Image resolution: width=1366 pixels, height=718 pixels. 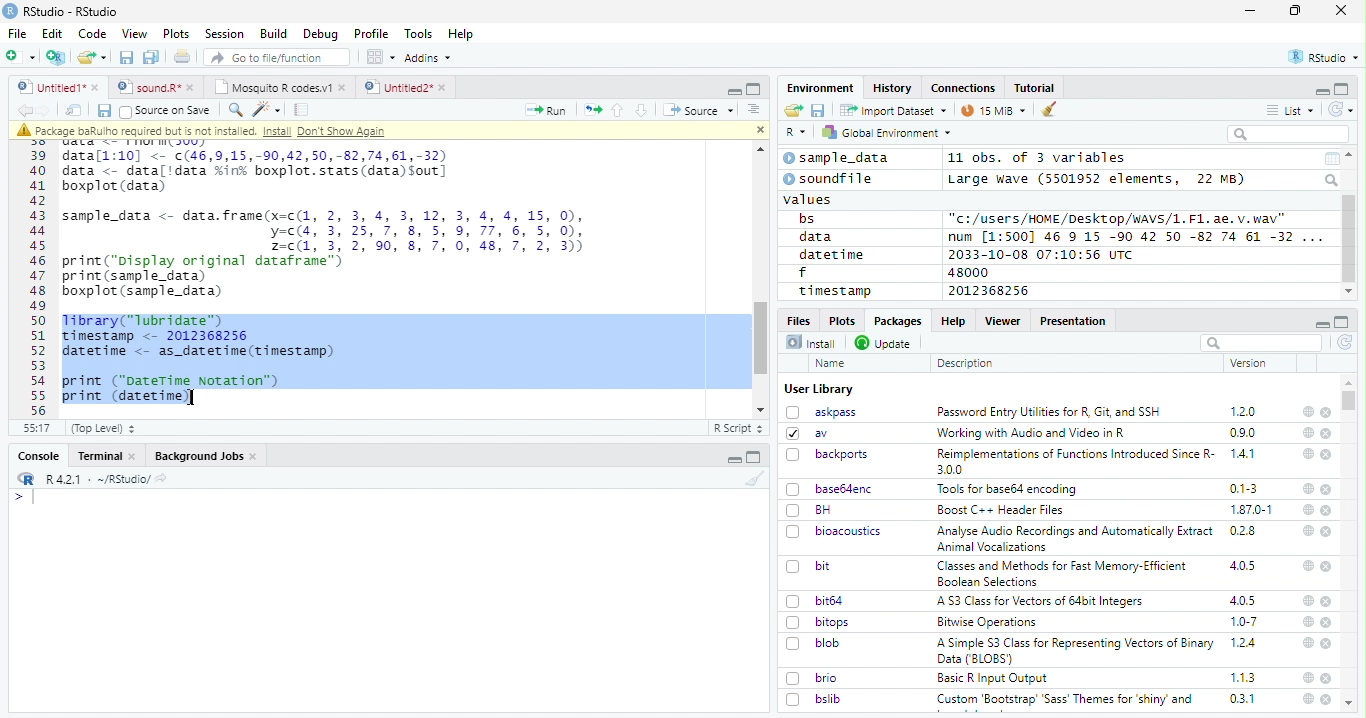 What do you see at coordinates (1326, 413) in the screenshot?
I see `close` at bounding box center [1326, 413].